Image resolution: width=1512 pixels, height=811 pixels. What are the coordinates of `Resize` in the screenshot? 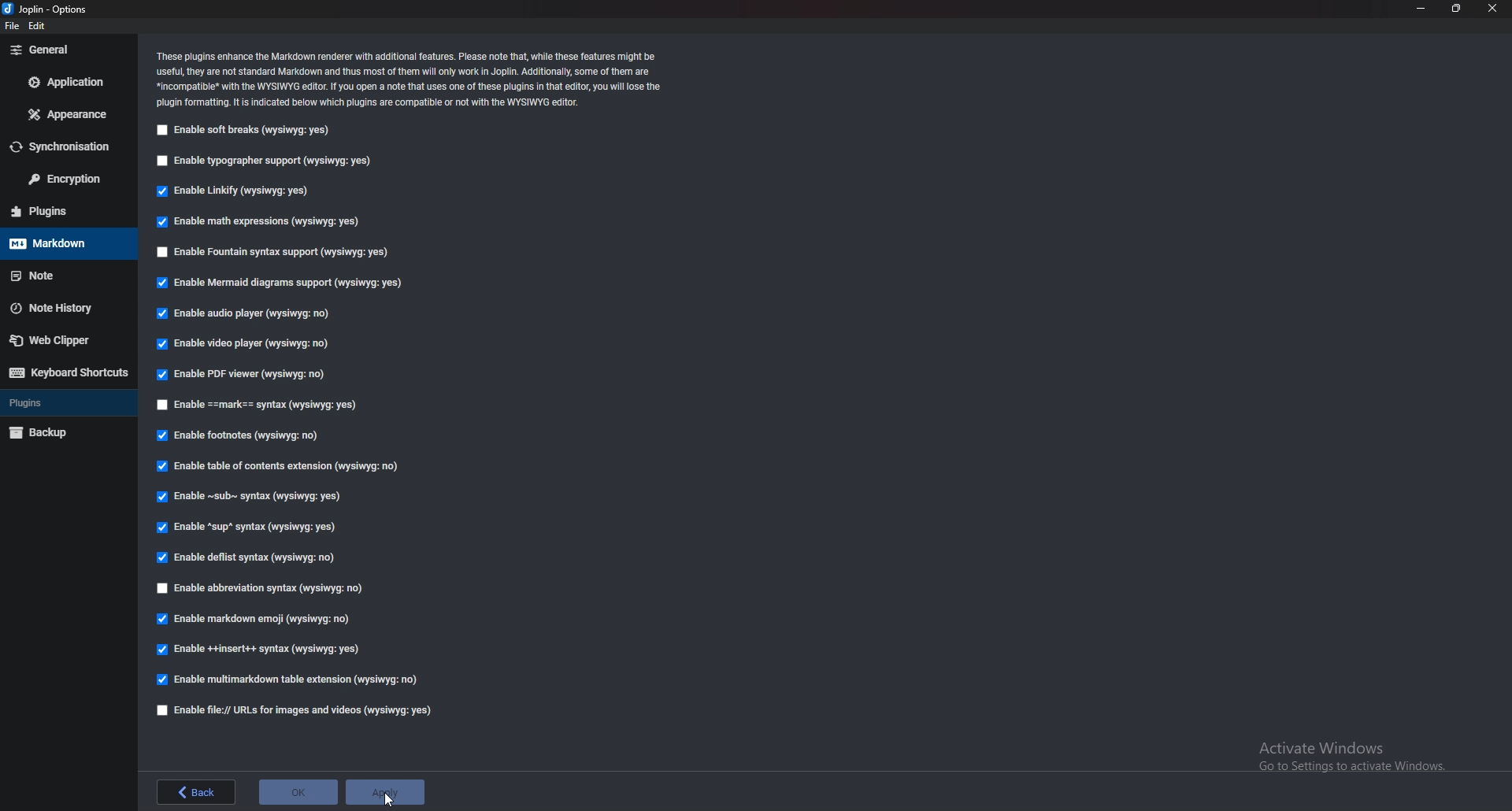 It's located at (1456, 9).